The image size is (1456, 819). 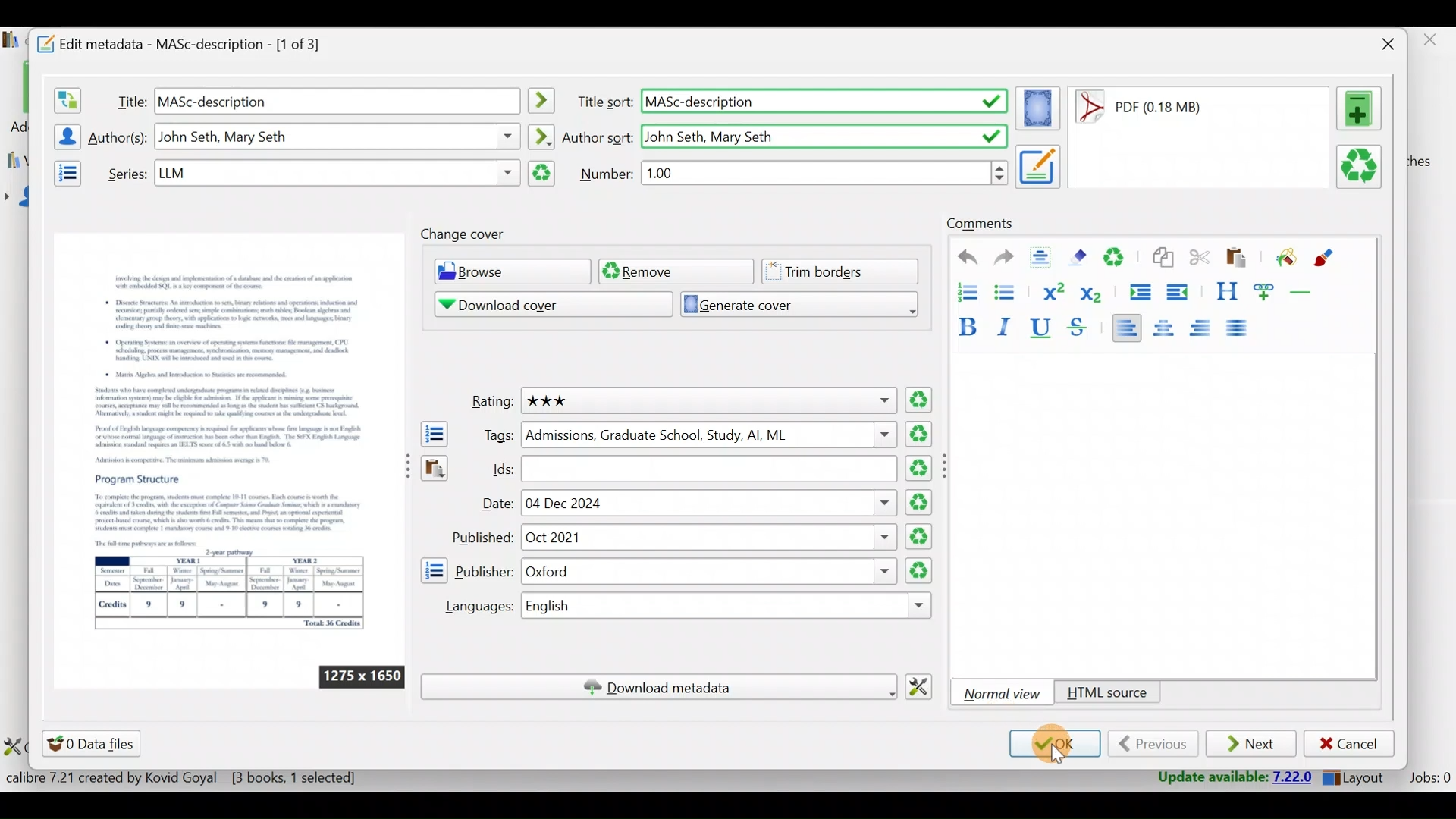 What do you see at coordinates (1226, 291) in the screenshot?
I see `Style` at bounding box center [1226, 291].